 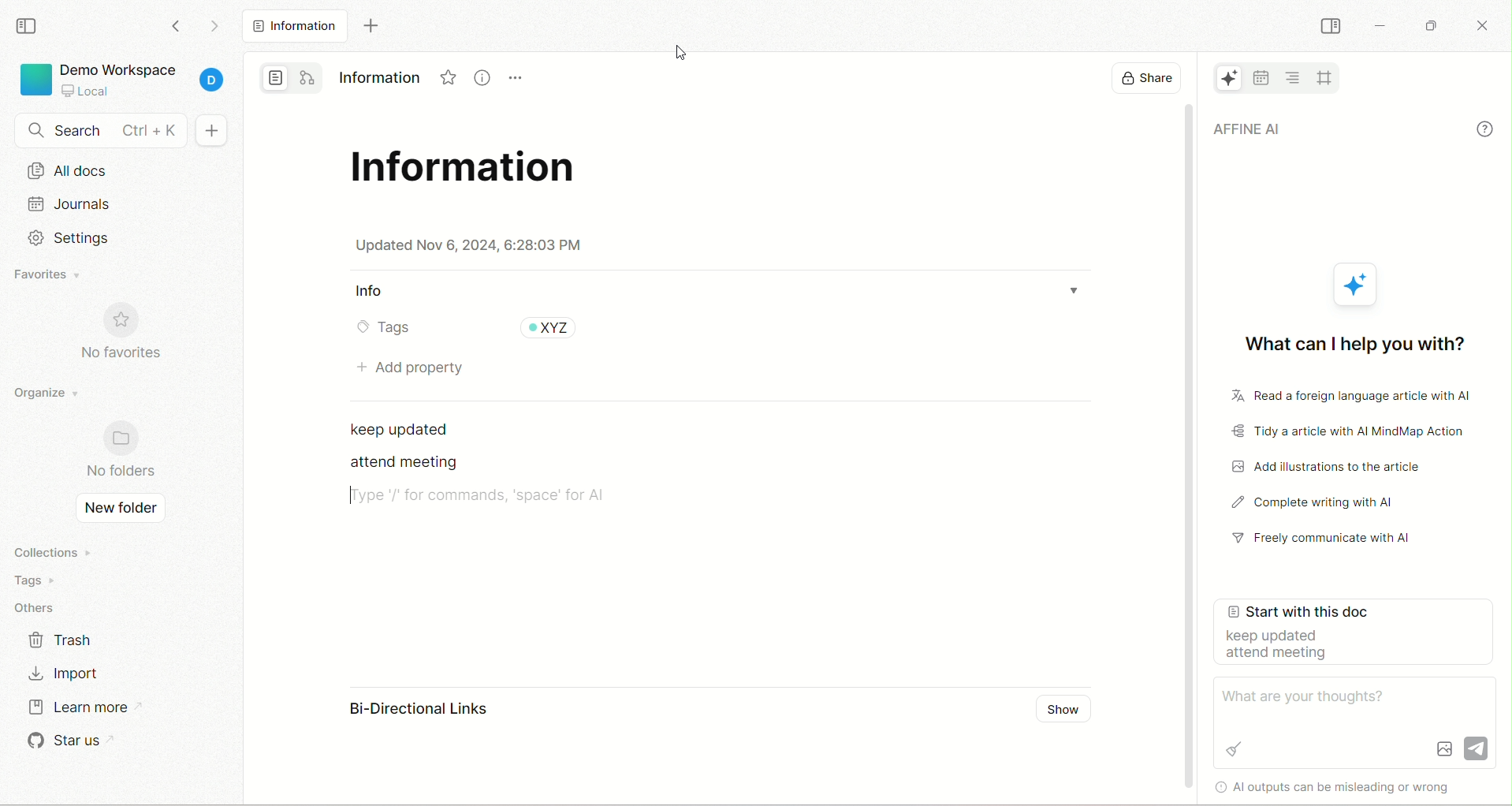 I want to click on organize, so click(x=45, y=398).